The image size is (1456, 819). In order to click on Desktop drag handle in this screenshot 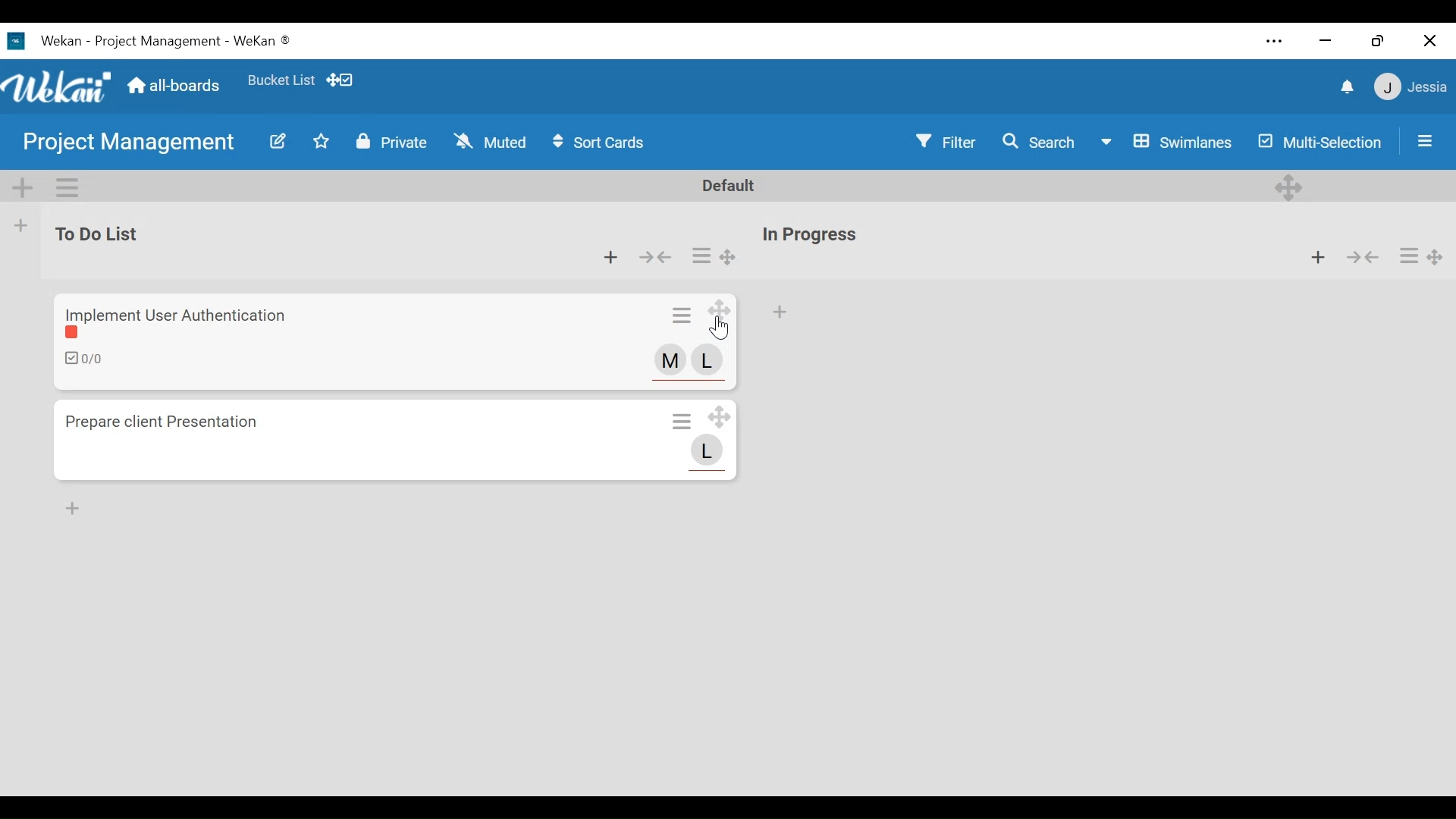, I will do `click(727, 258)`.